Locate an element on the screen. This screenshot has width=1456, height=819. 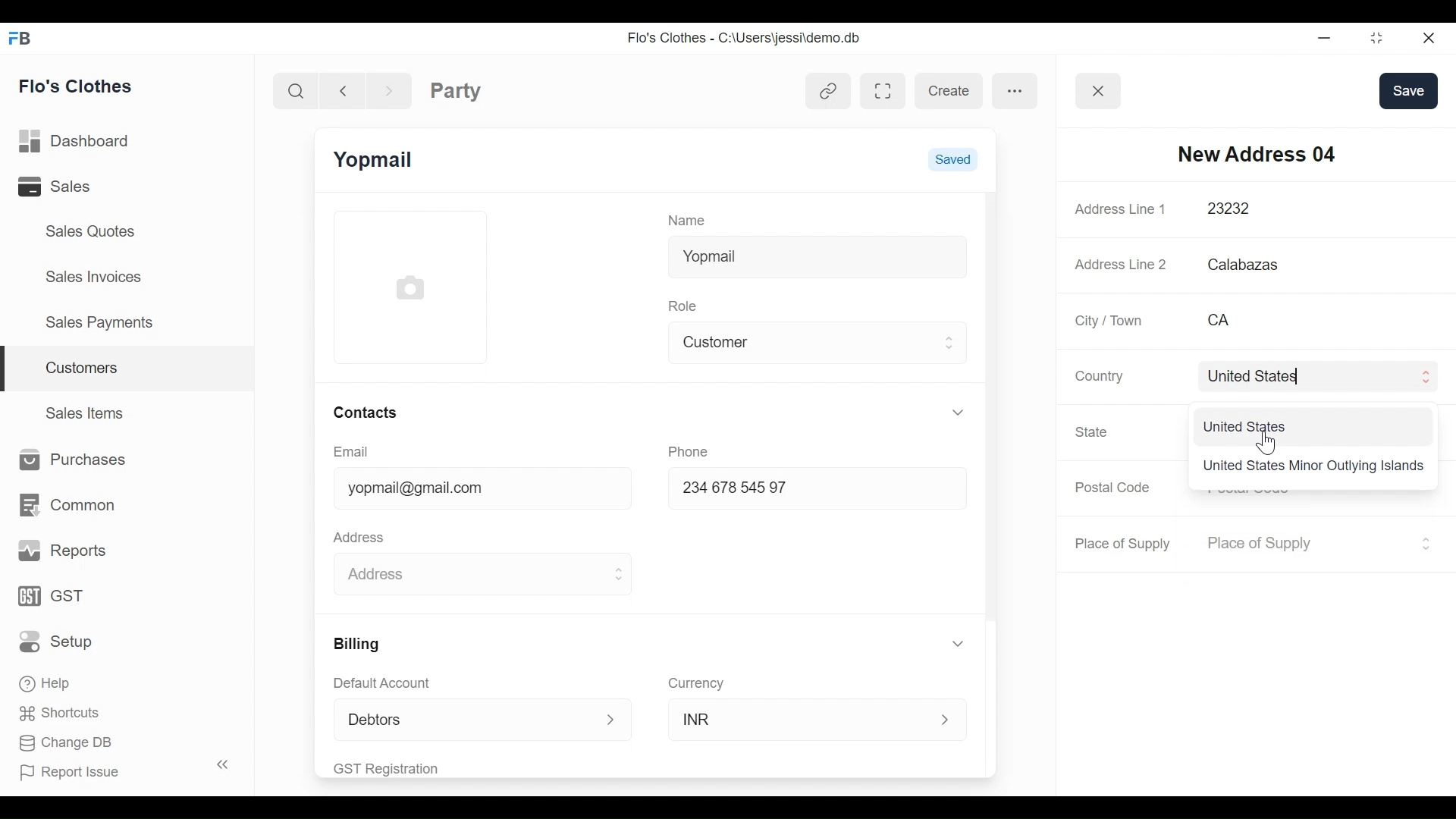
23232 is located at coordinates (1302, 209).